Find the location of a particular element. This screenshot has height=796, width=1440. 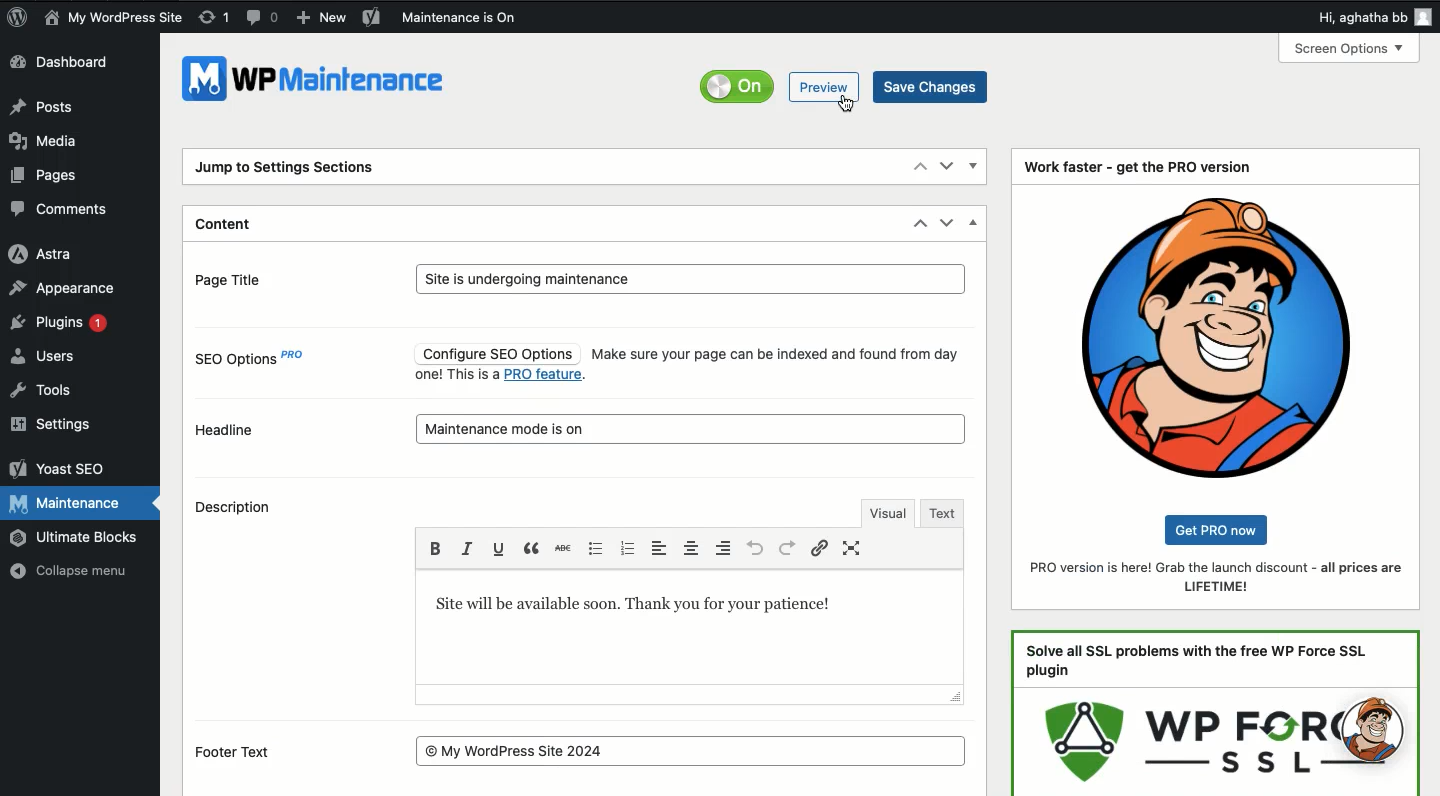

Bullet is located at coordinates (593, 547).